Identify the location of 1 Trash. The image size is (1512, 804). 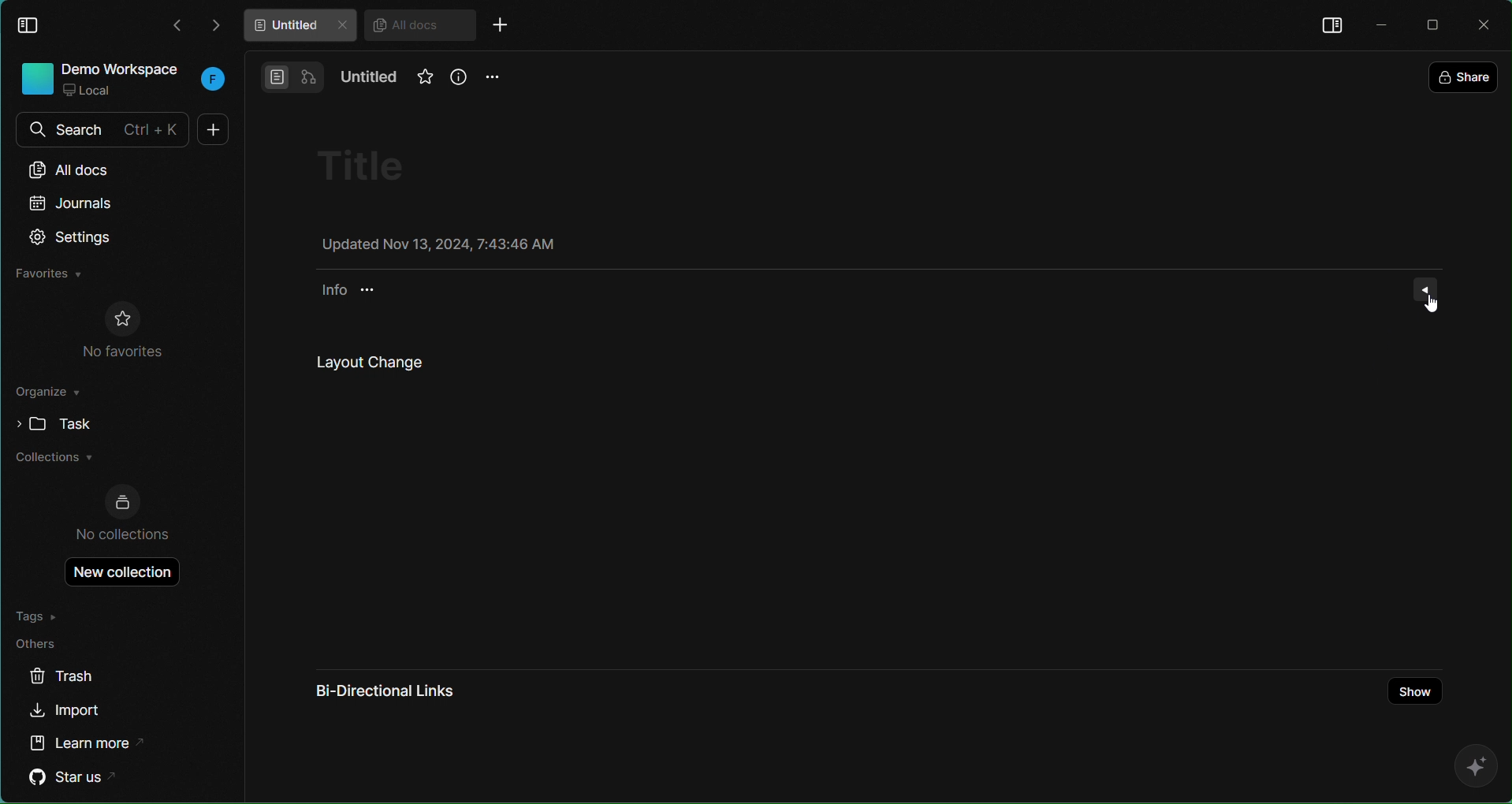
(76, 677).